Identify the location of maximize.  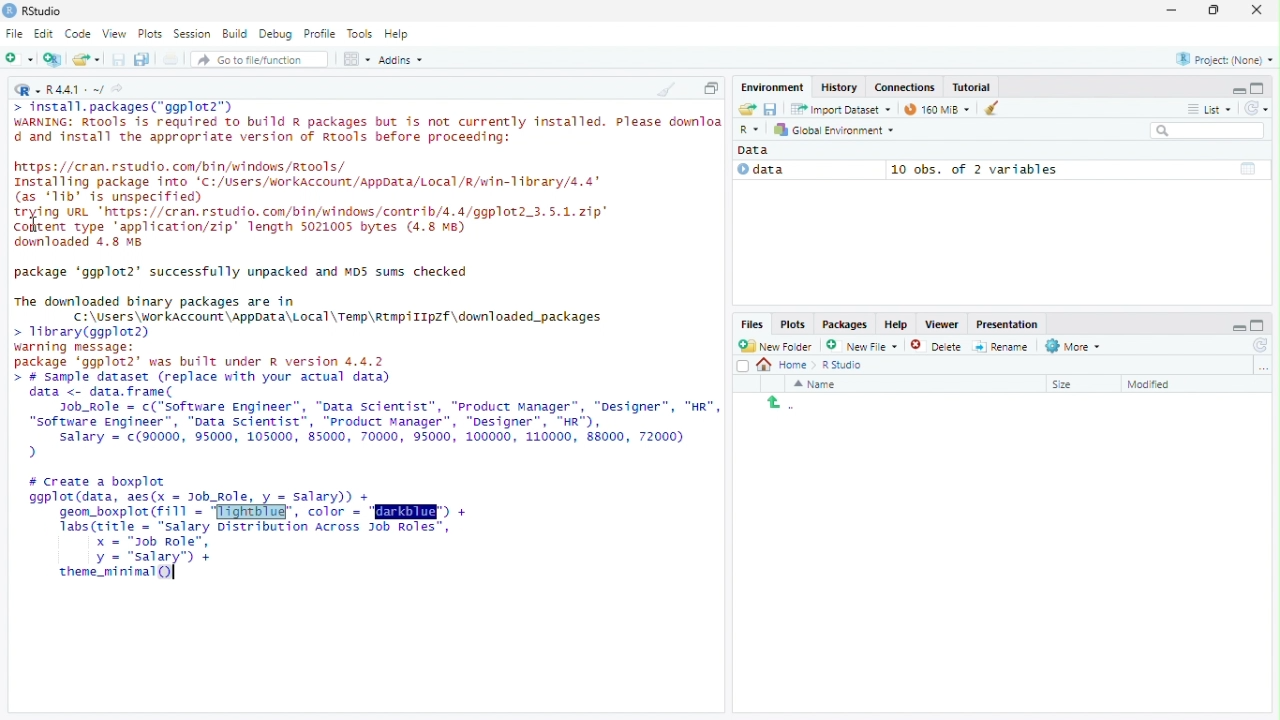
(1260, 88).